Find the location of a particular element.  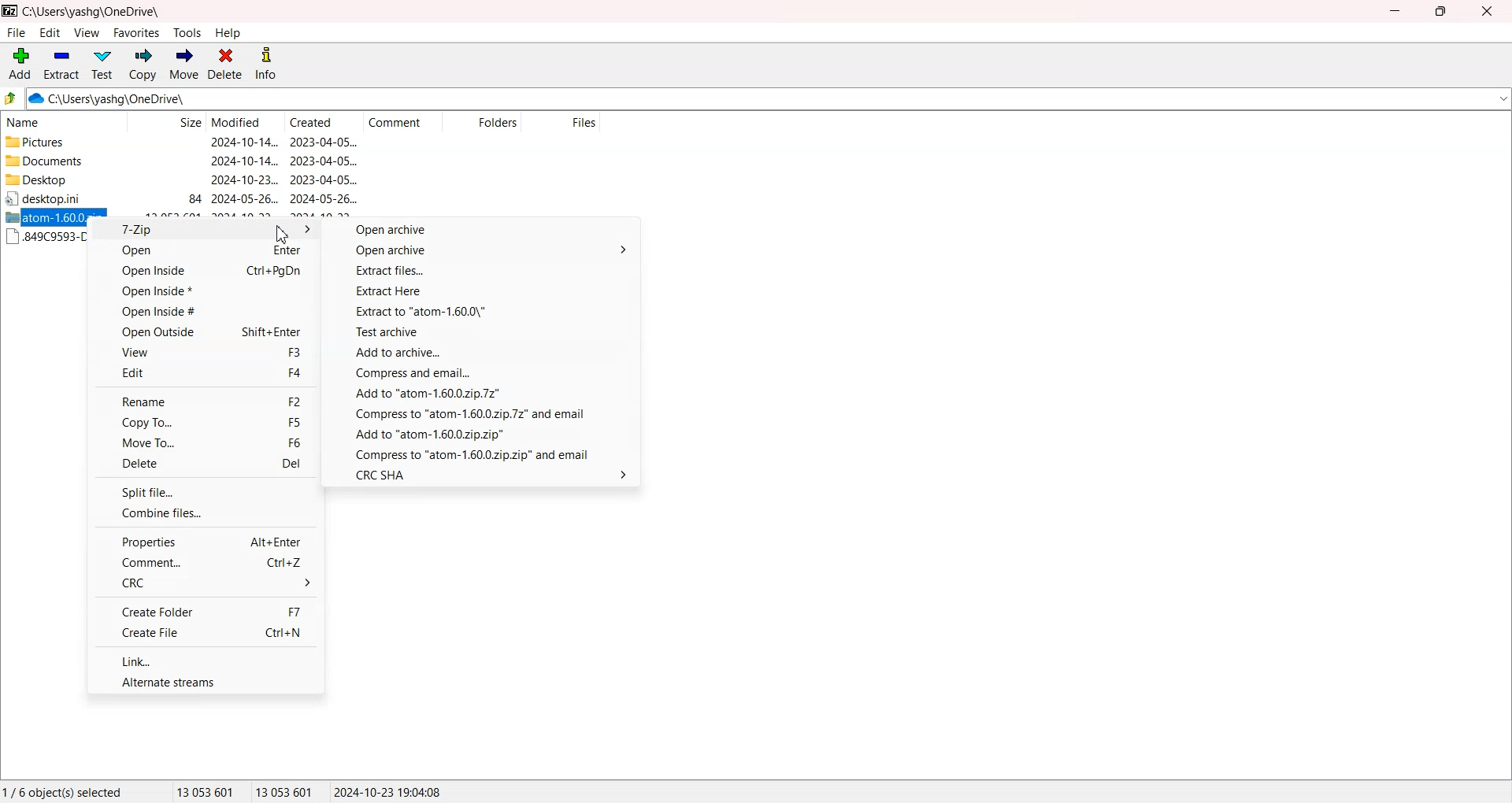

Extract Here is located at coordinates (485, 292).